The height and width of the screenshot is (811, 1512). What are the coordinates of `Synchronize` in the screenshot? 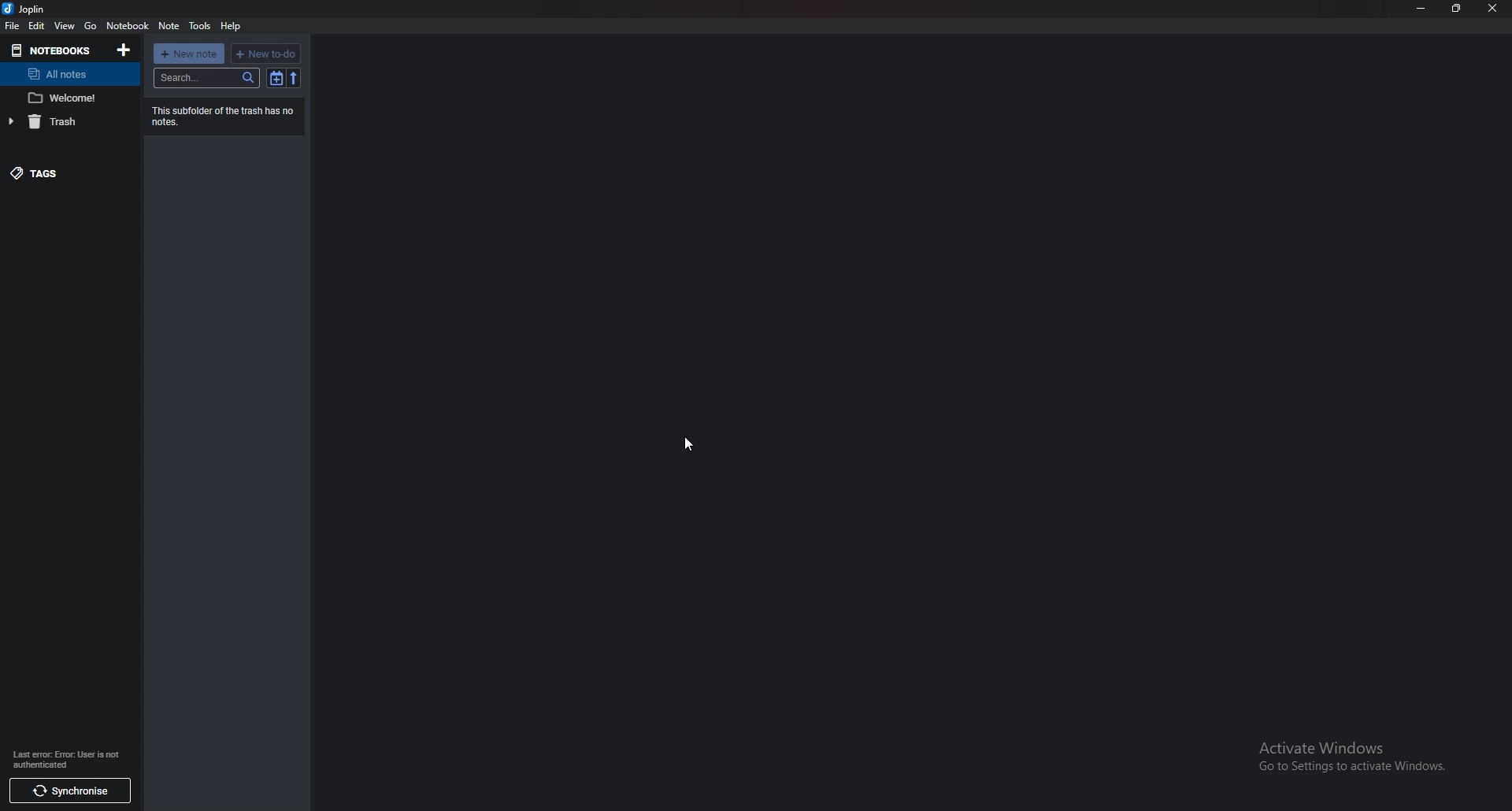 It's located at (72, 792).